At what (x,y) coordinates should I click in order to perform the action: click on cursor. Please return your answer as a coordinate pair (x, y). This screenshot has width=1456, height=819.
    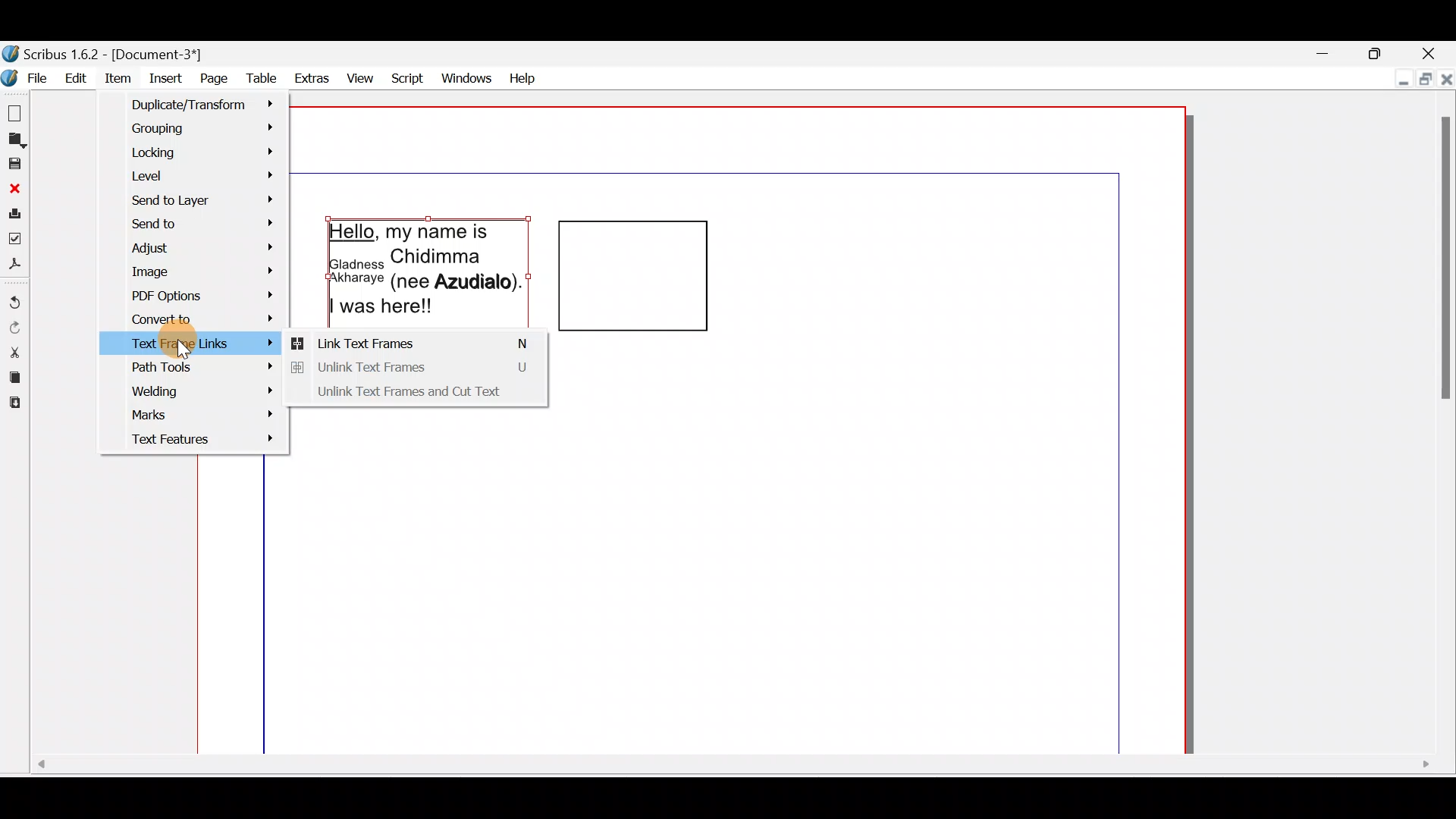
    Looking at the image, I should click on (185, 346).